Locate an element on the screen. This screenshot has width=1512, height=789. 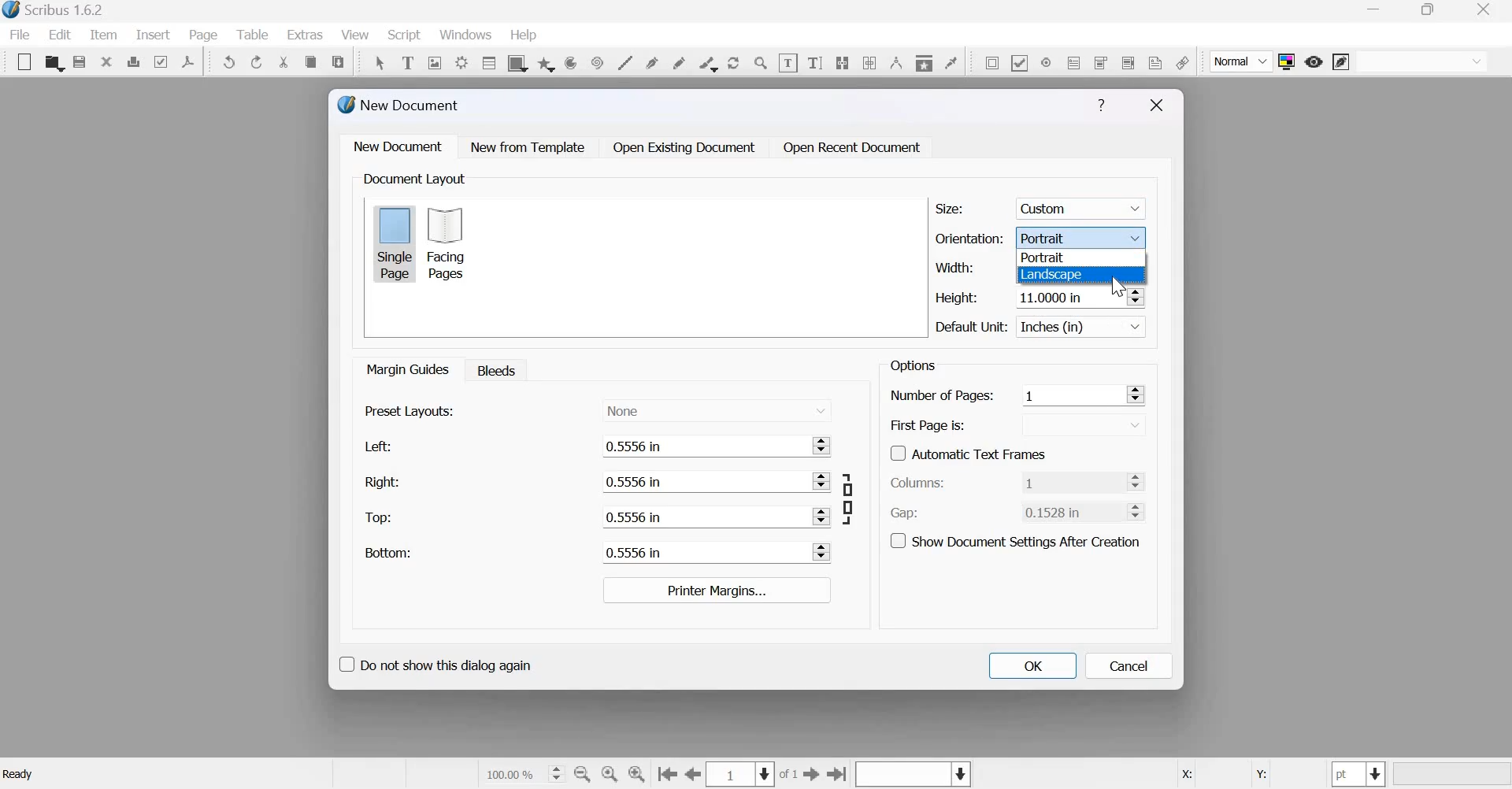
First Page is: is located at coordinates (928, 424).